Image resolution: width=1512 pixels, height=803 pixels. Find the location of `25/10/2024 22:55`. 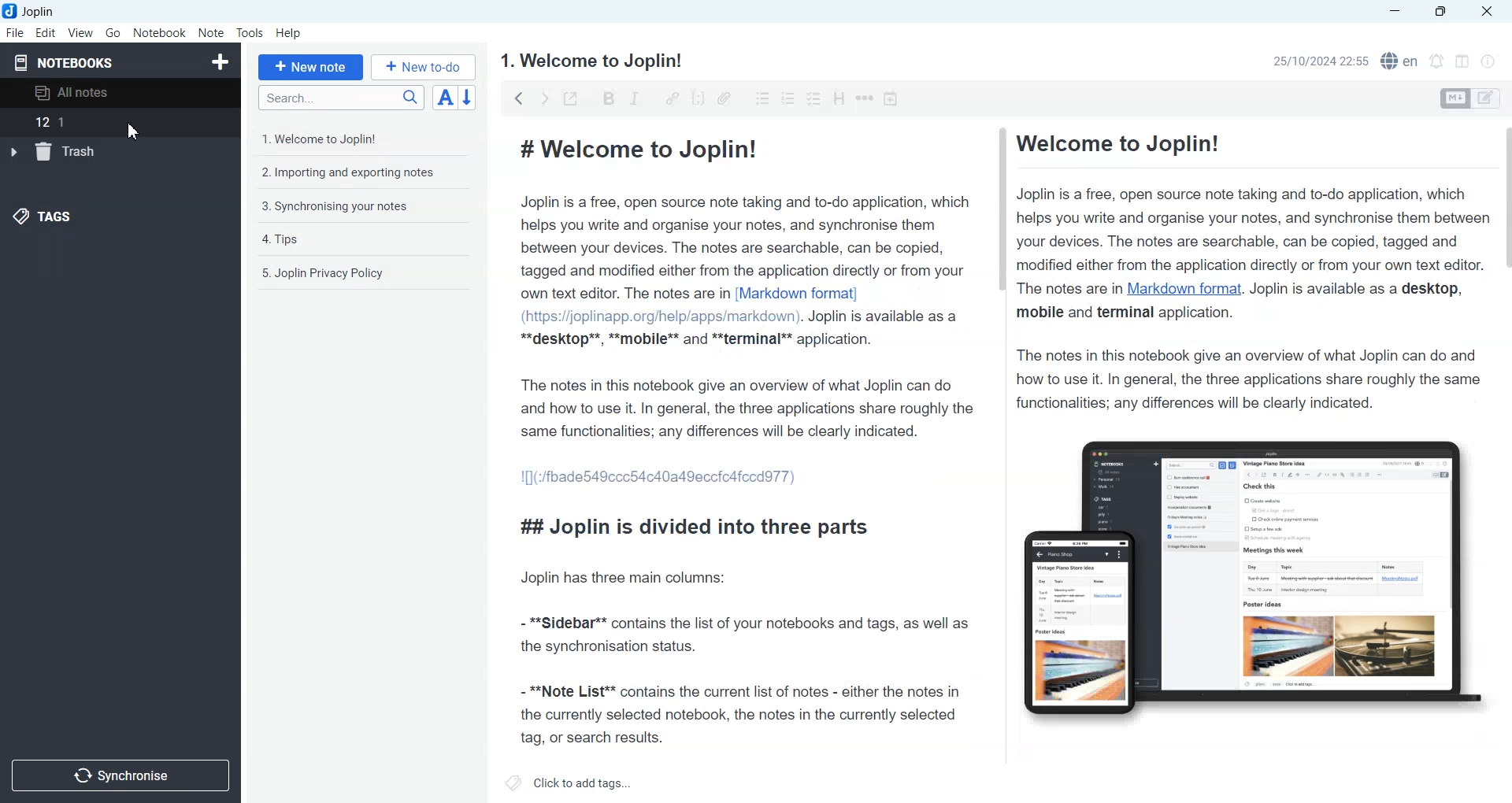

25/10/2024 22:55 is located at coordinates (1318, 60).